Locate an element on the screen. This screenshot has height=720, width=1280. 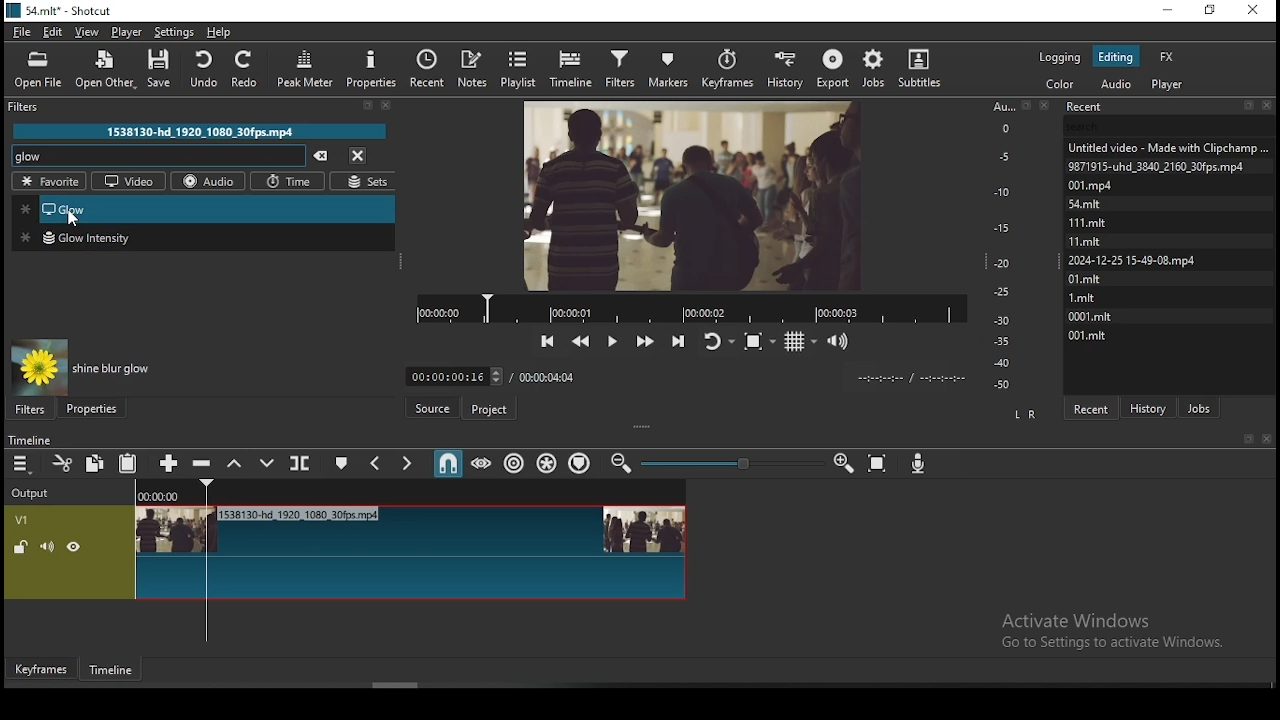
toggle zoom is located at coordinates (761, 339).